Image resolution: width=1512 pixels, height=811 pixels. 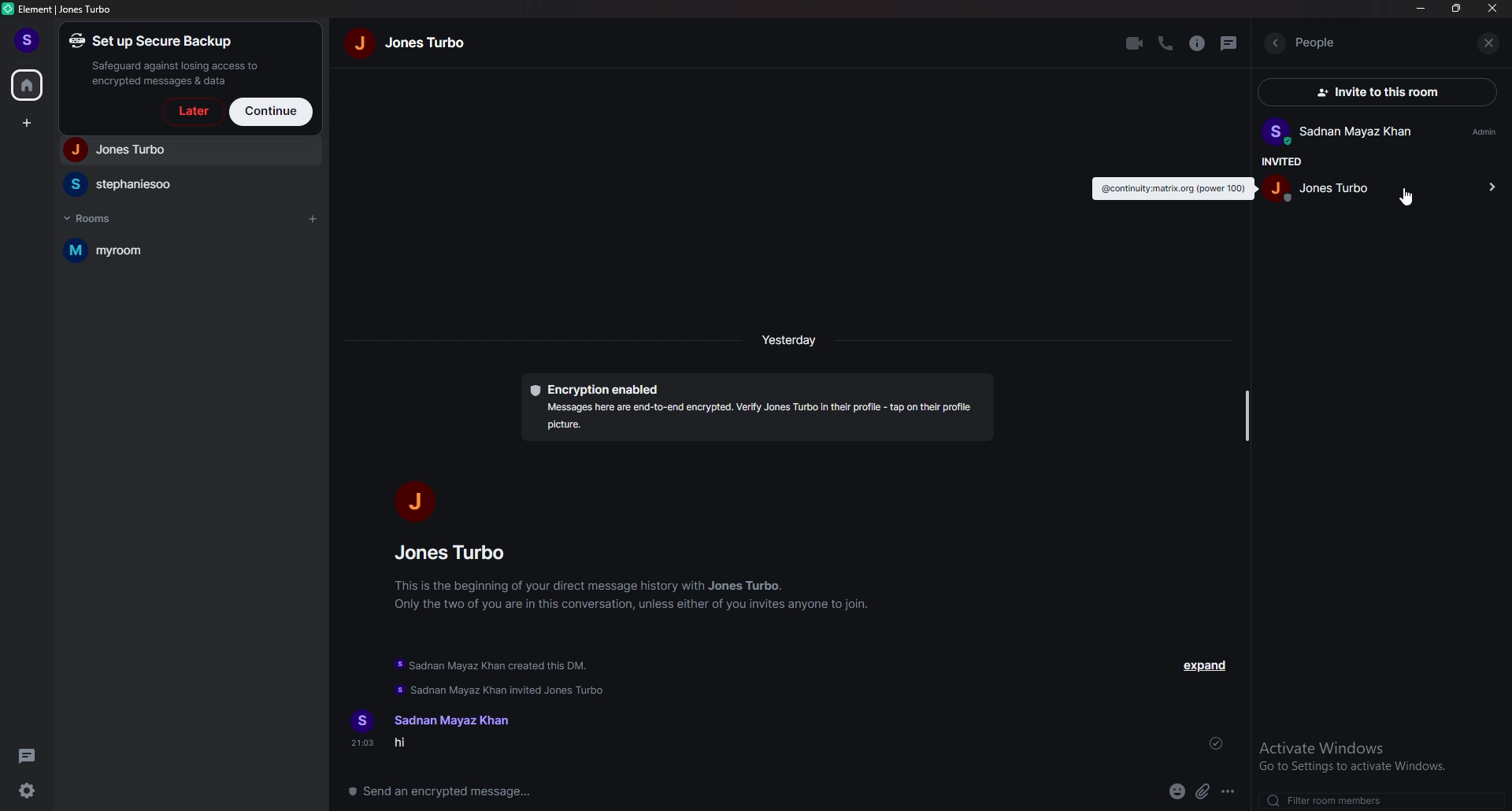 What do you see at coordinates (412, 501) in the screenshot?
I see `people photo` at bounding box center [412, 501].